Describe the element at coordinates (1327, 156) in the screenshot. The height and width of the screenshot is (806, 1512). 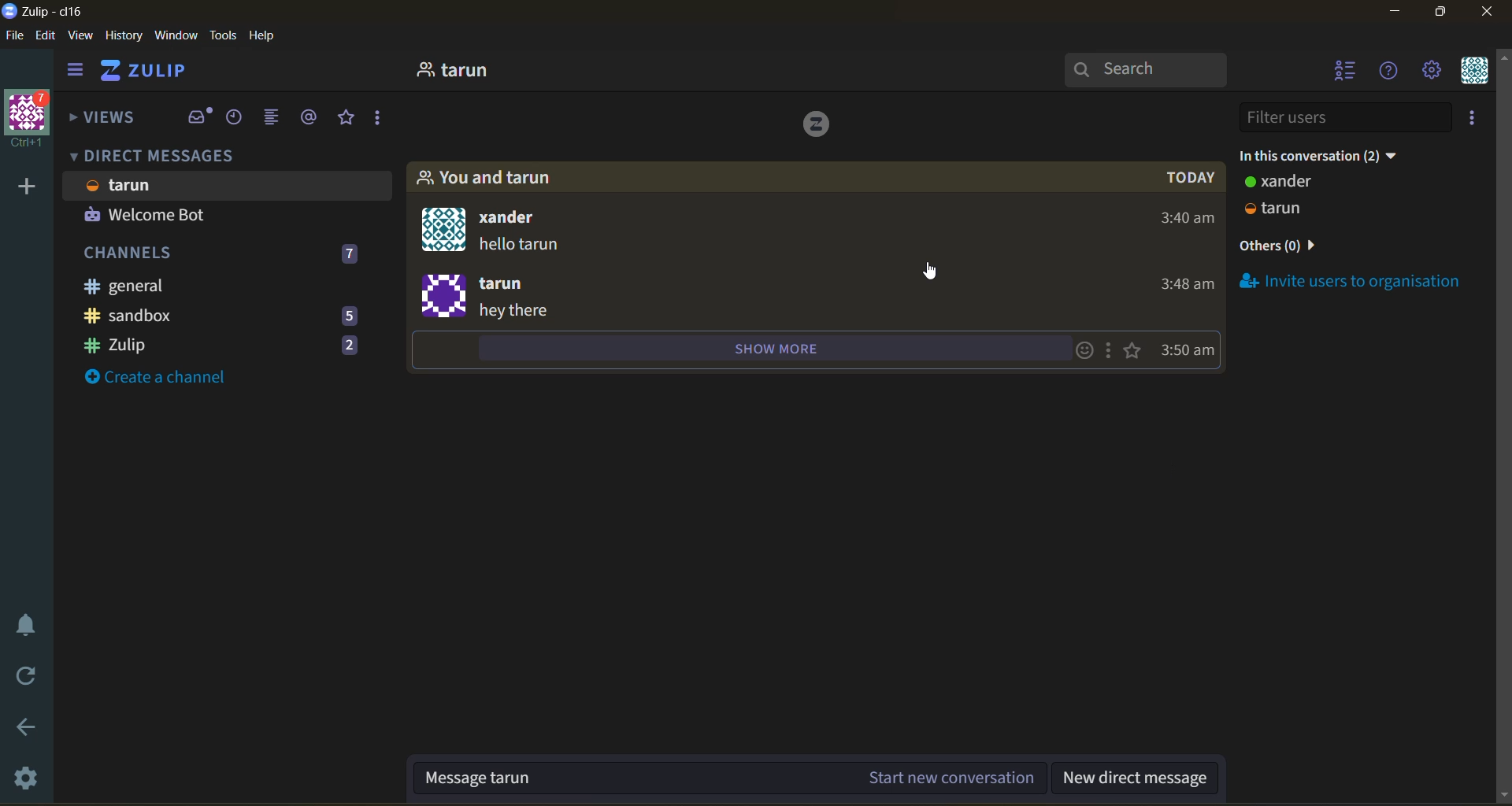
I see `in this conversation` at that location.